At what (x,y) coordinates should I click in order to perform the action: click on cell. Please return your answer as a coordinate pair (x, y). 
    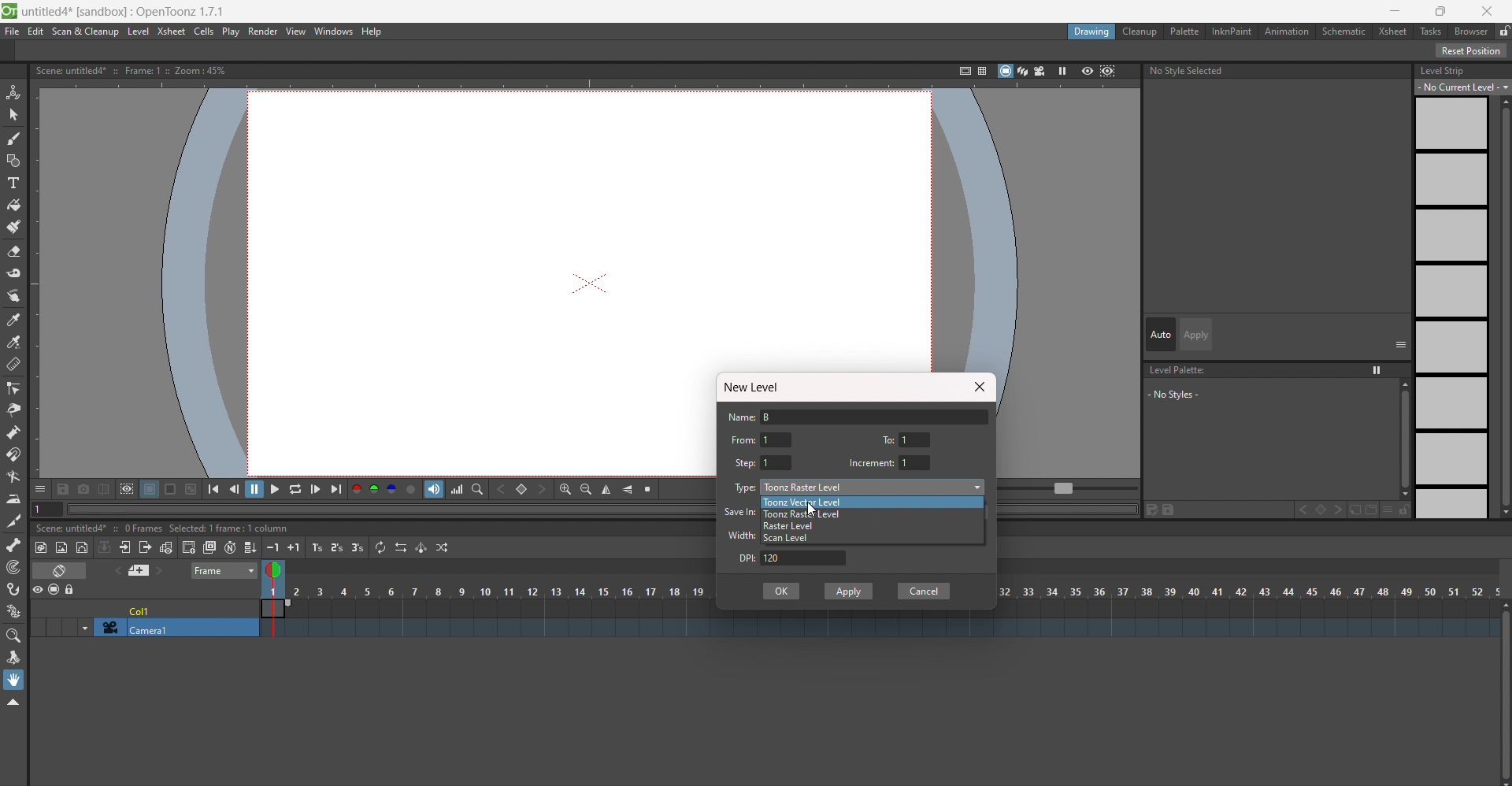
    Looking at the image, I should click on (143, 609).